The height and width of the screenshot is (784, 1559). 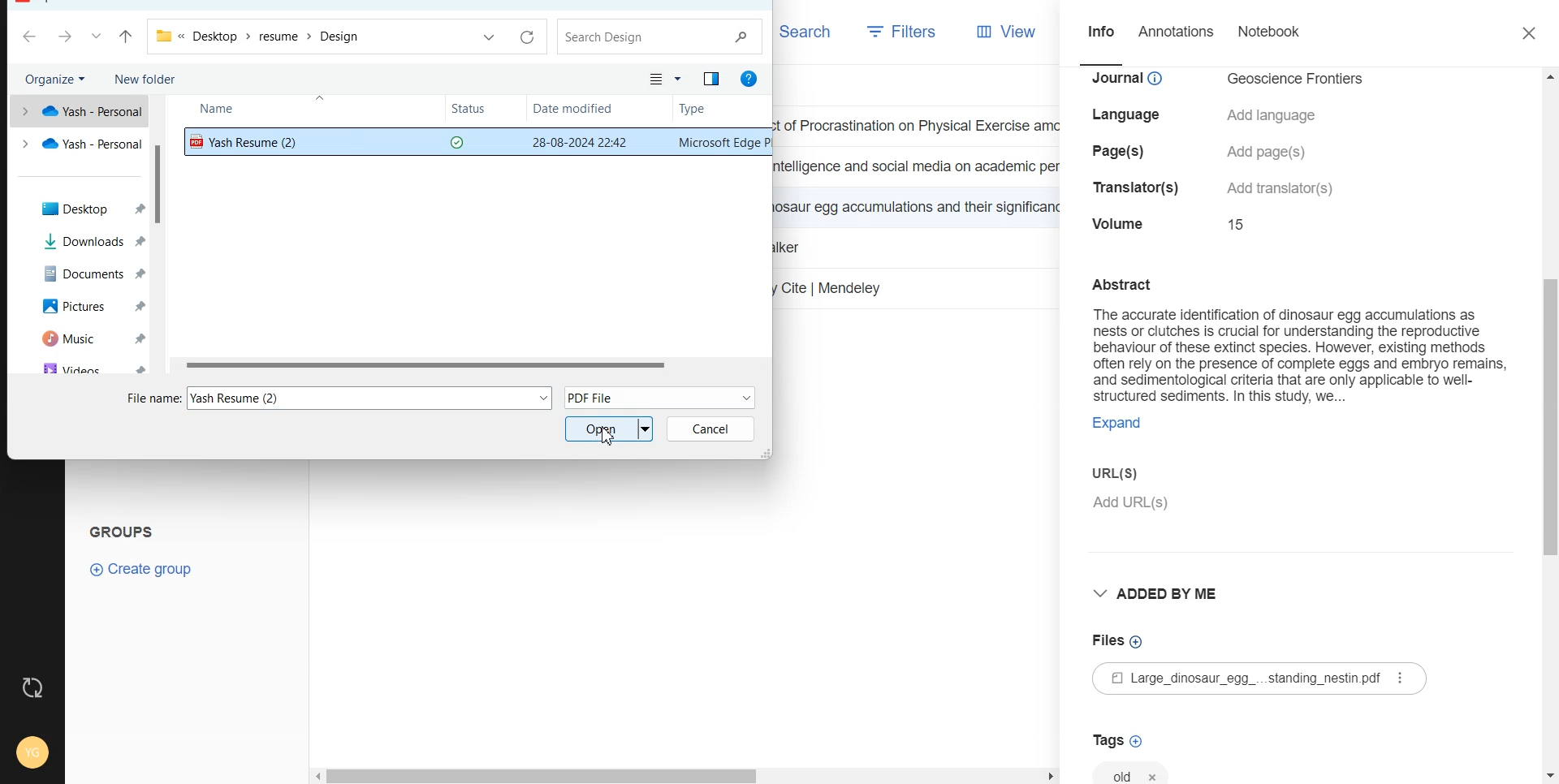 What do you see at coordinates (661, 37) in the screenshot?
I see `Search bar` at bounding box center [661, 37].